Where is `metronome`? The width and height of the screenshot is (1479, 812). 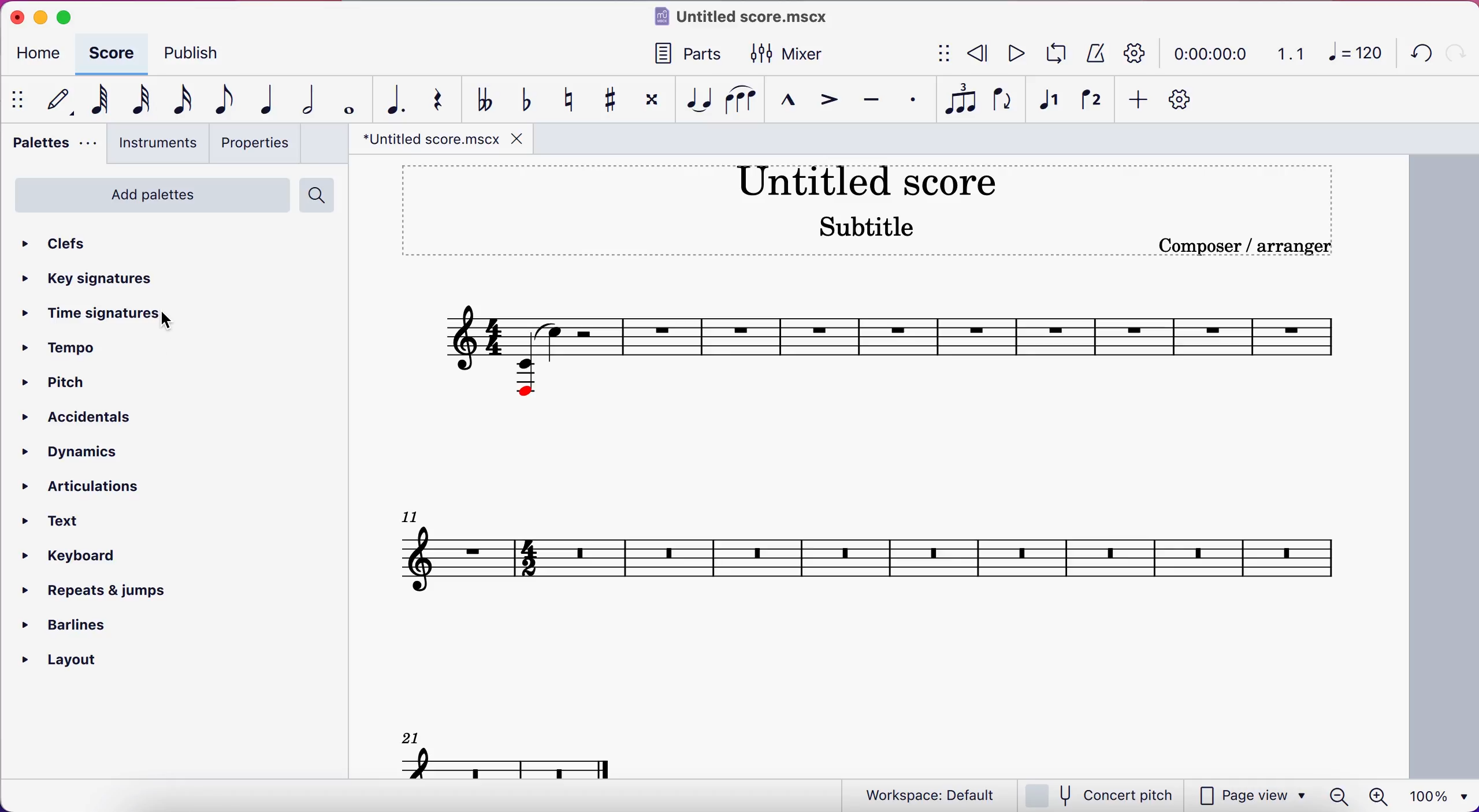 metronome is located at coordinates (1097, 54).